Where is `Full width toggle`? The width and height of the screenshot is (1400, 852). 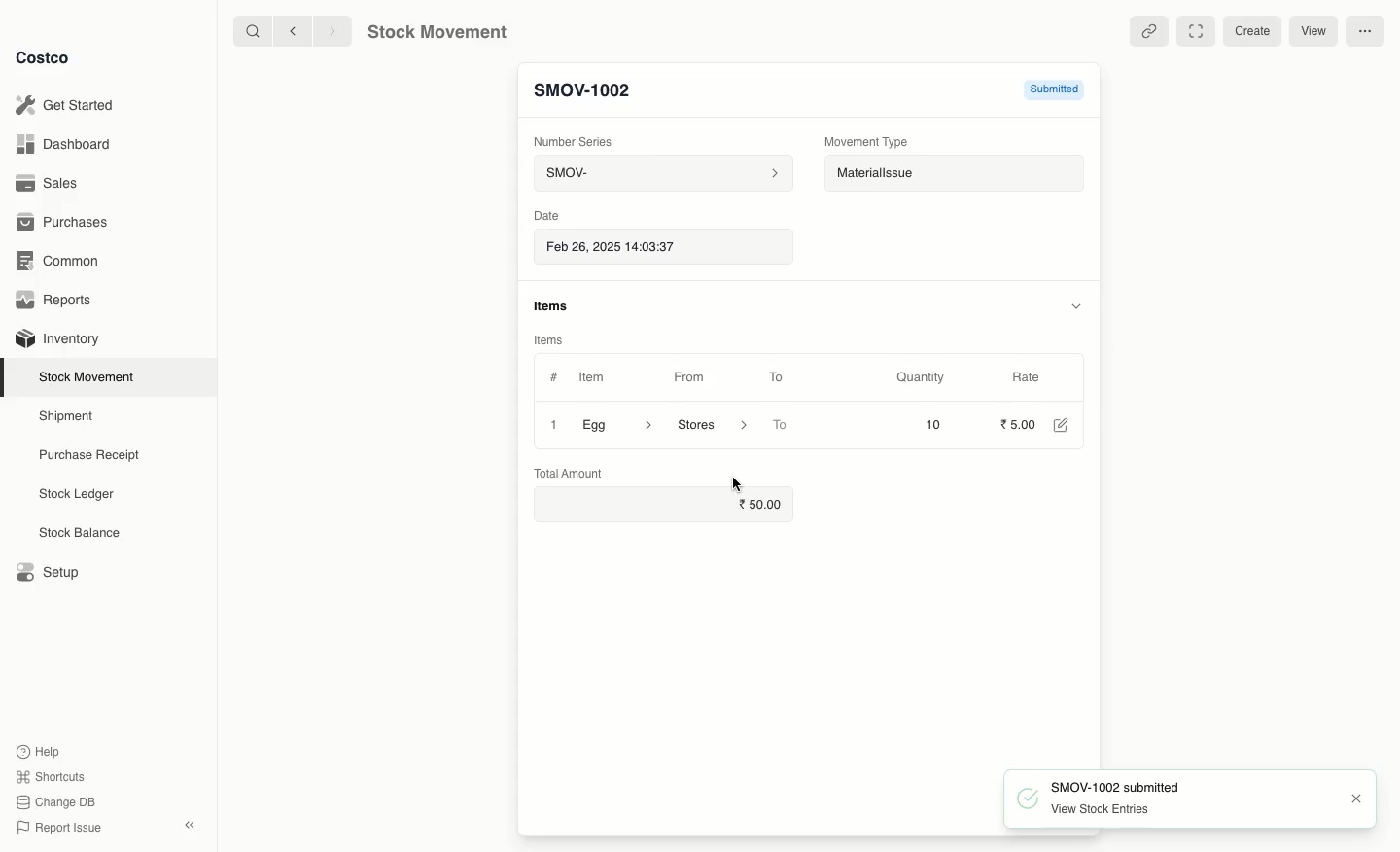
Full width toggle is located at coordinates (1195, 32).